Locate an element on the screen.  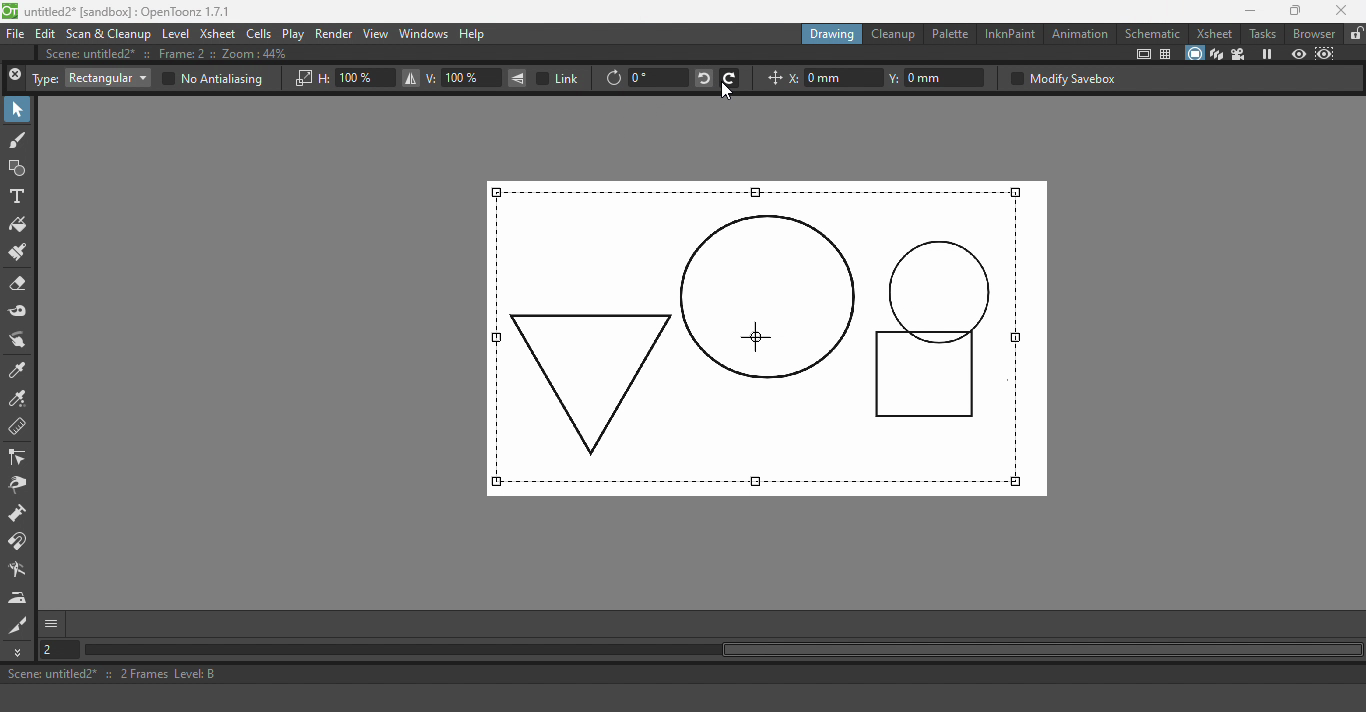
Rotate selection left is located at coordinates (702, 77).